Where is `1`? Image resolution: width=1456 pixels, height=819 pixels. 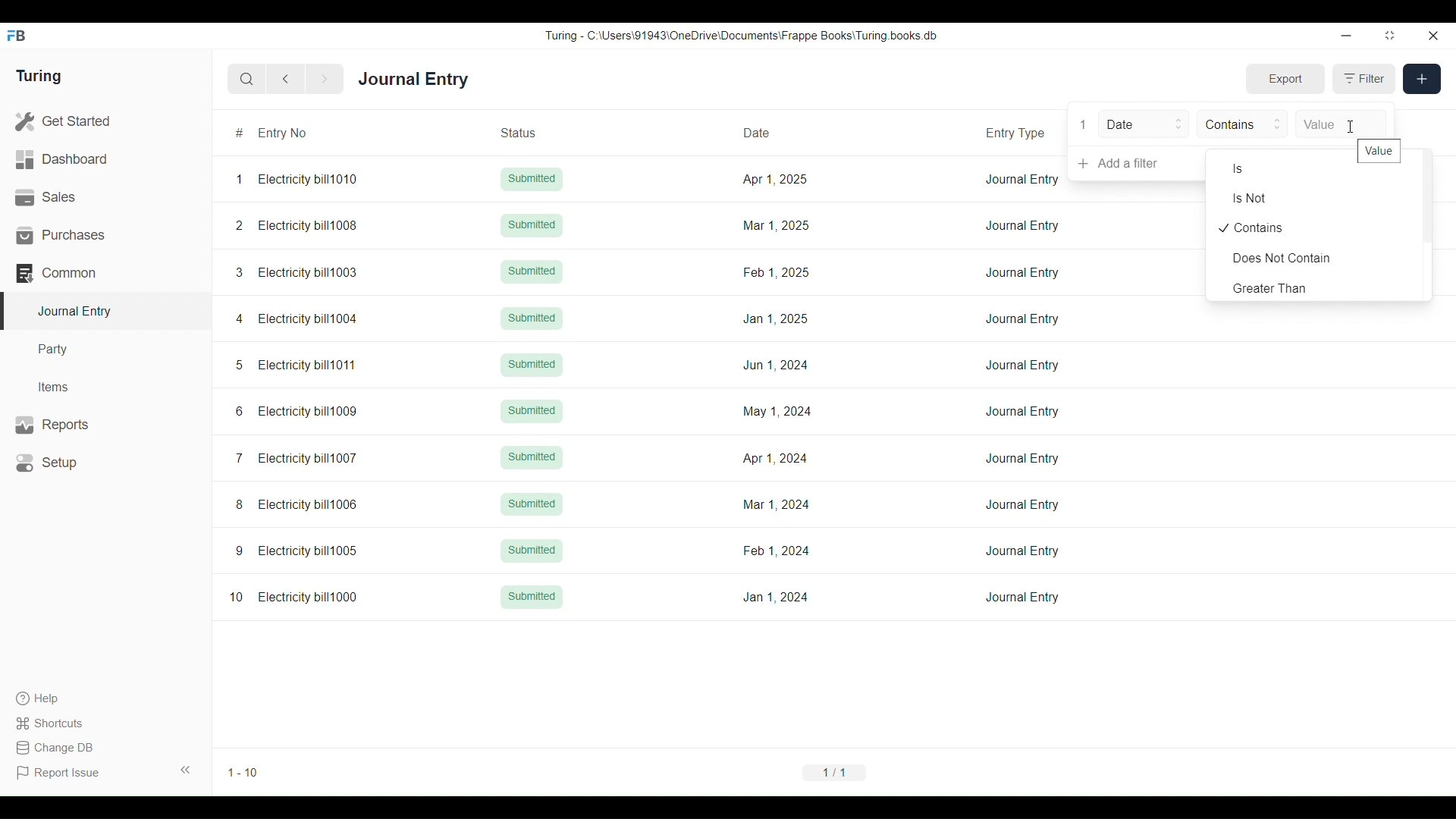
1 is located at coordinates (1084, 124).